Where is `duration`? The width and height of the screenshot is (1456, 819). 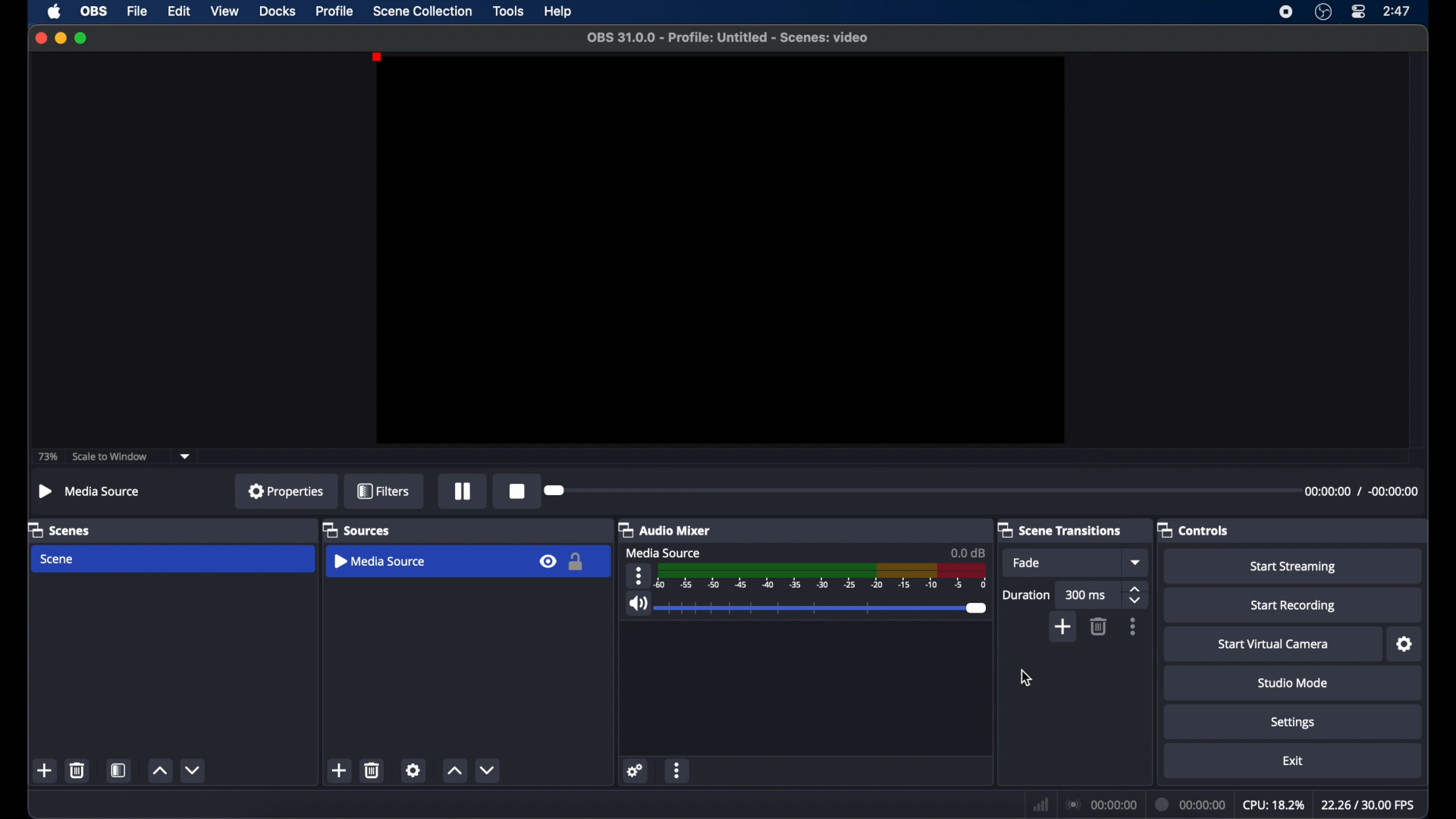 duration is located at coordinates (1025, 595).